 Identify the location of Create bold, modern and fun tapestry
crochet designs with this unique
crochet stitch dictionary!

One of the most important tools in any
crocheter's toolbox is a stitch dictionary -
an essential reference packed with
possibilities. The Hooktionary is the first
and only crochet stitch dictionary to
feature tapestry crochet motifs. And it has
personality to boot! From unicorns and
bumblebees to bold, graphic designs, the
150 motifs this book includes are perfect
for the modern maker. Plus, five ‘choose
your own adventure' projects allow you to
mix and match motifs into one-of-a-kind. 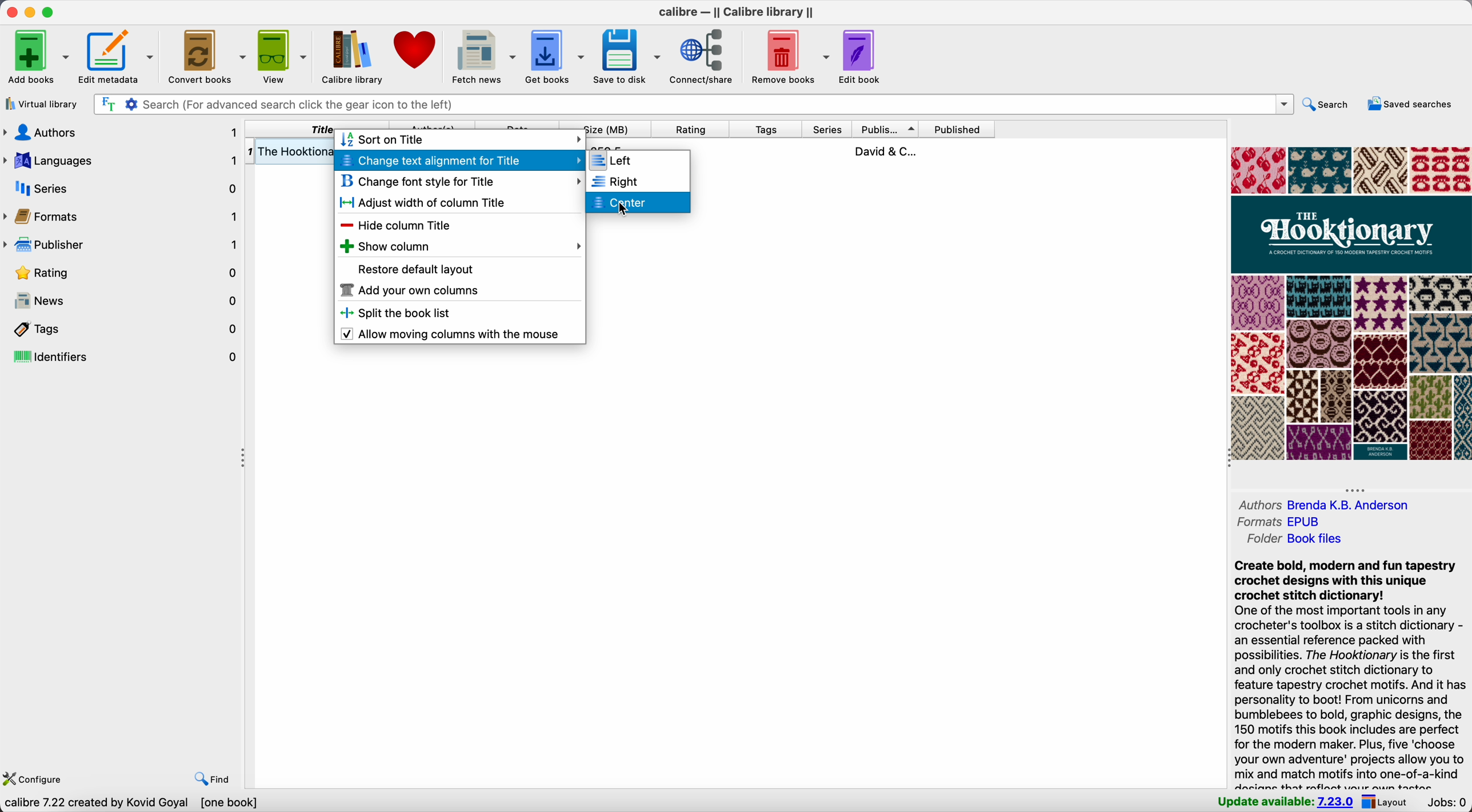
(1350, 670).